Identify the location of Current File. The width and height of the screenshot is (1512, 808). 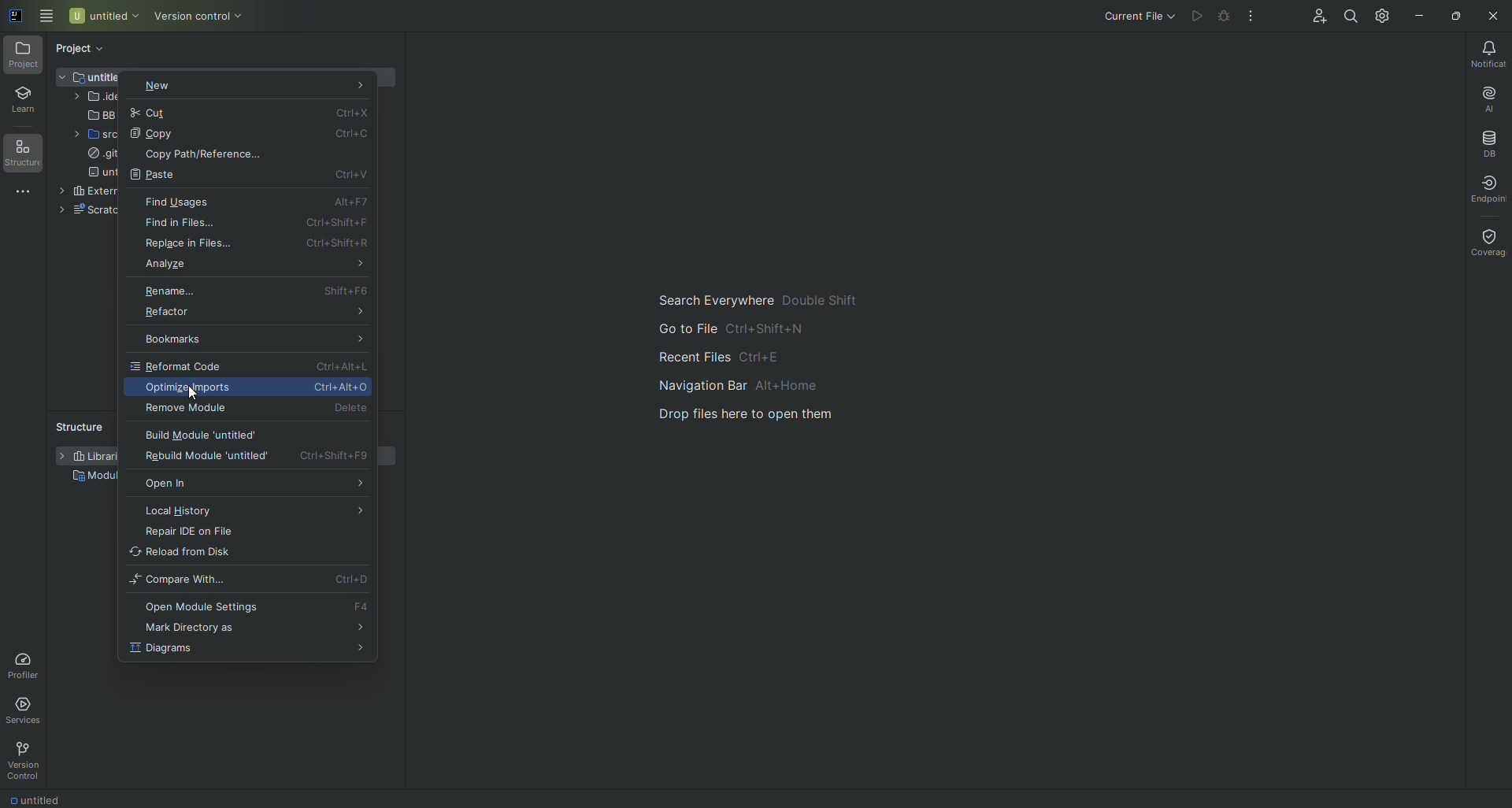
(1135, 15).